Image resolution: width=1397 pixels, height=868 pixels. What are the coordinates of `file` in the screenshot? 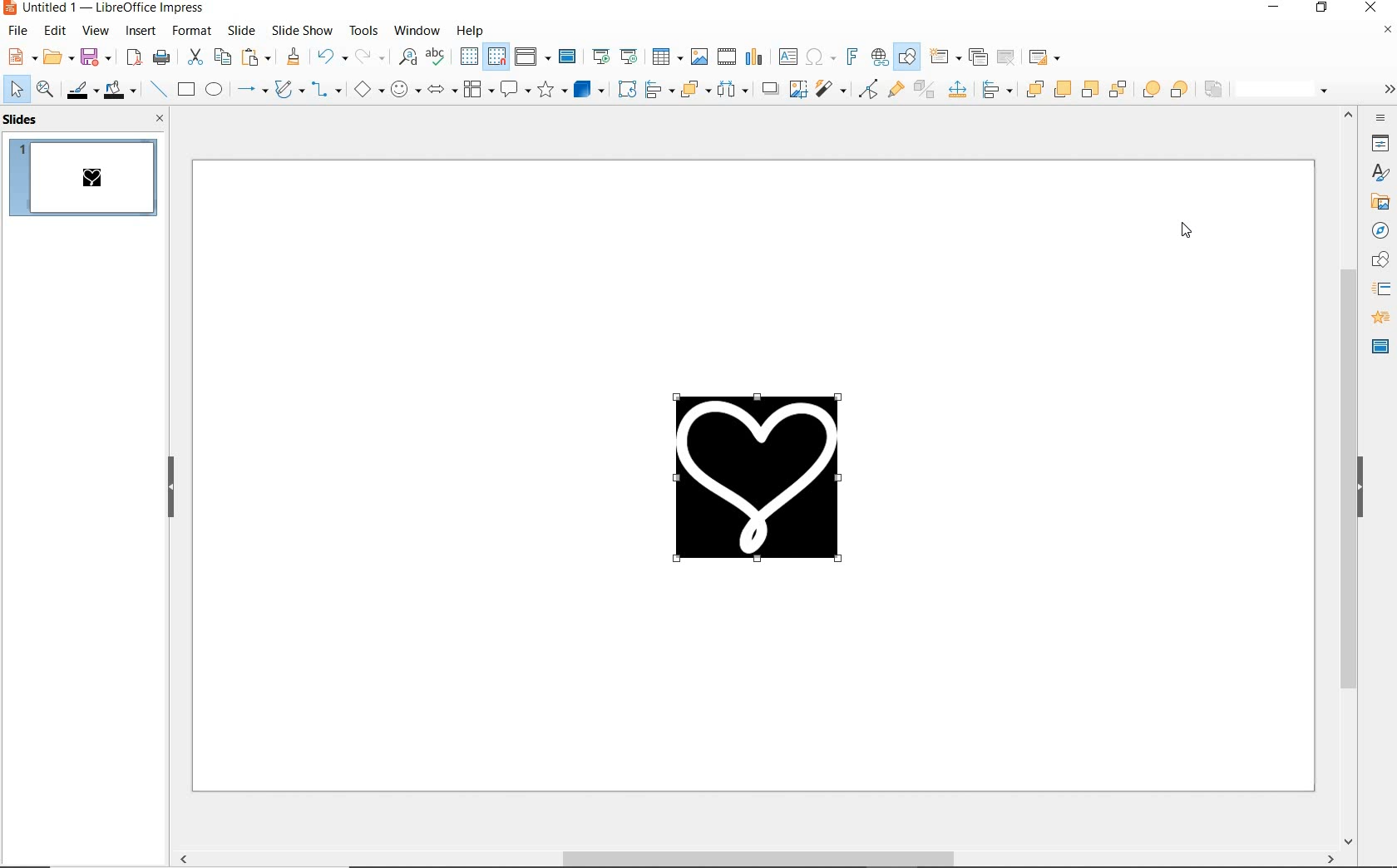 It's located at (17, 32).